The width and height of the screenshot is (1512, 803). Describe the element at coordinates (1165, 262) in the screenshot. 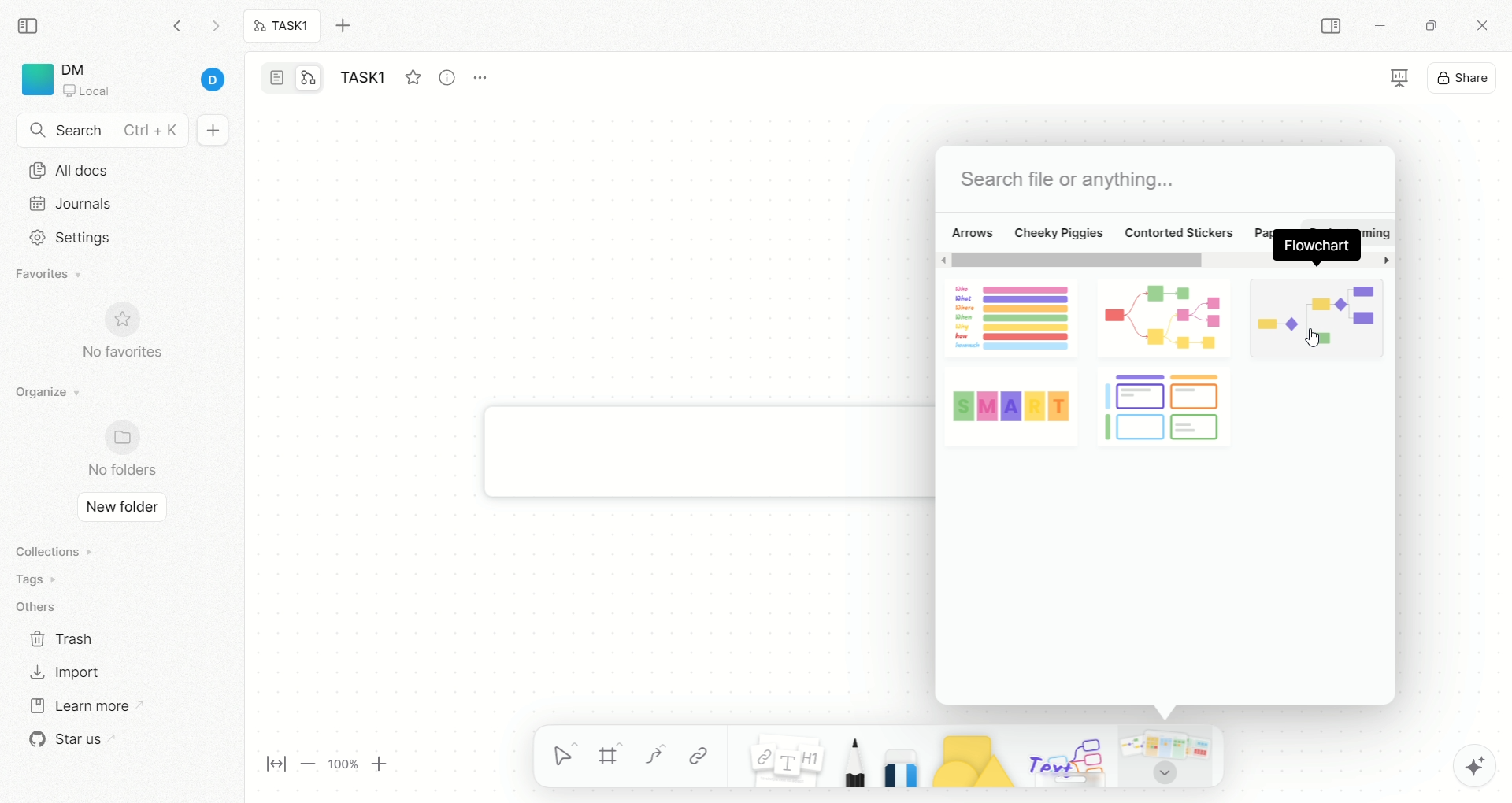

I see `scroll bar` at that location.